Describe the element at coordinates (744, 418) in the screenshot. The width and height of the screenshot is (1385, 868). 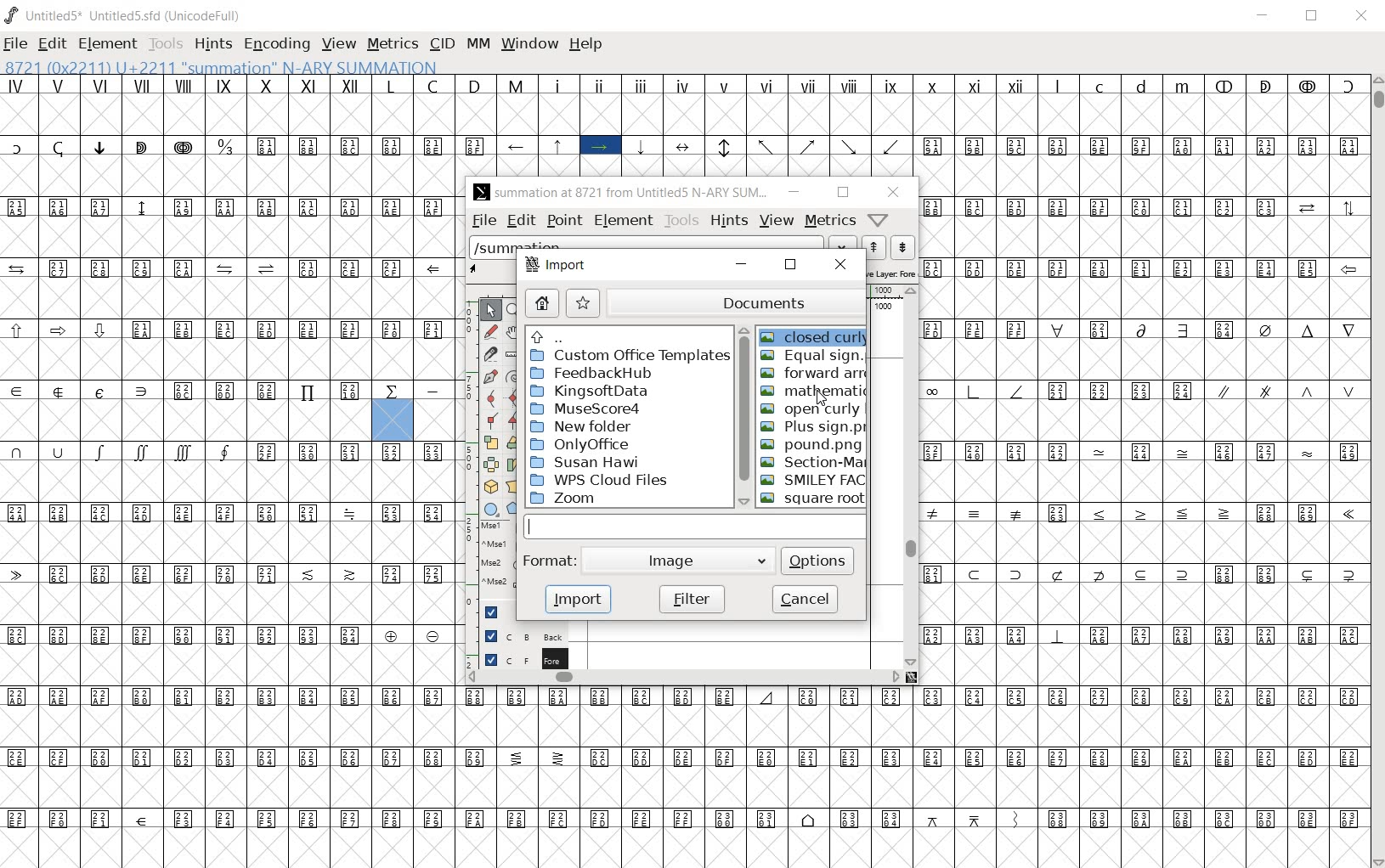
I see `scrollbar` at that location.